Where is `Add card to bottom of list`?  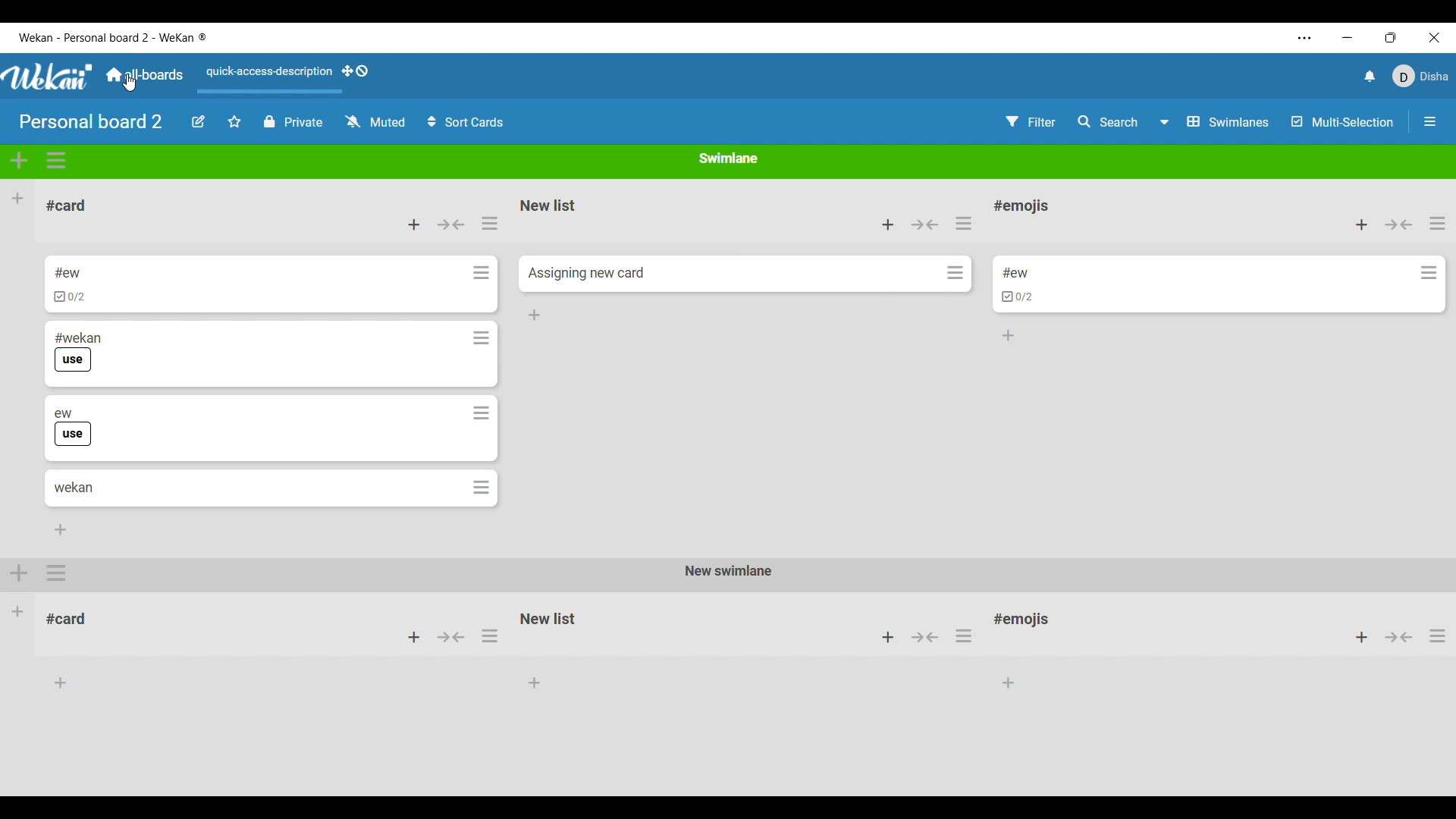
Add card to bottom of list is located at coordinates (535, 315).